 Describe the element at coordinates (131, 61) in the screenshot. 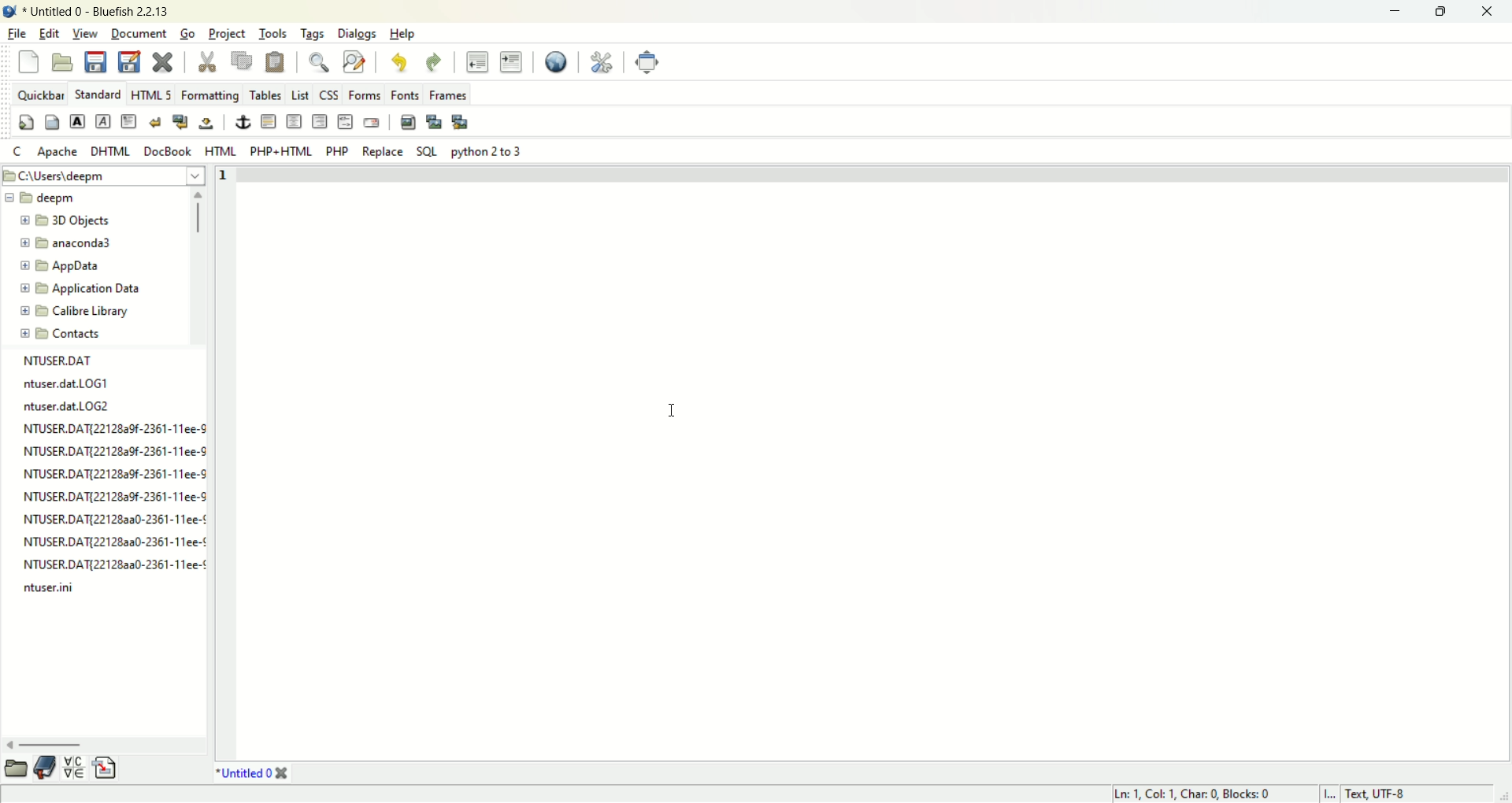

I see `save as` at that location.